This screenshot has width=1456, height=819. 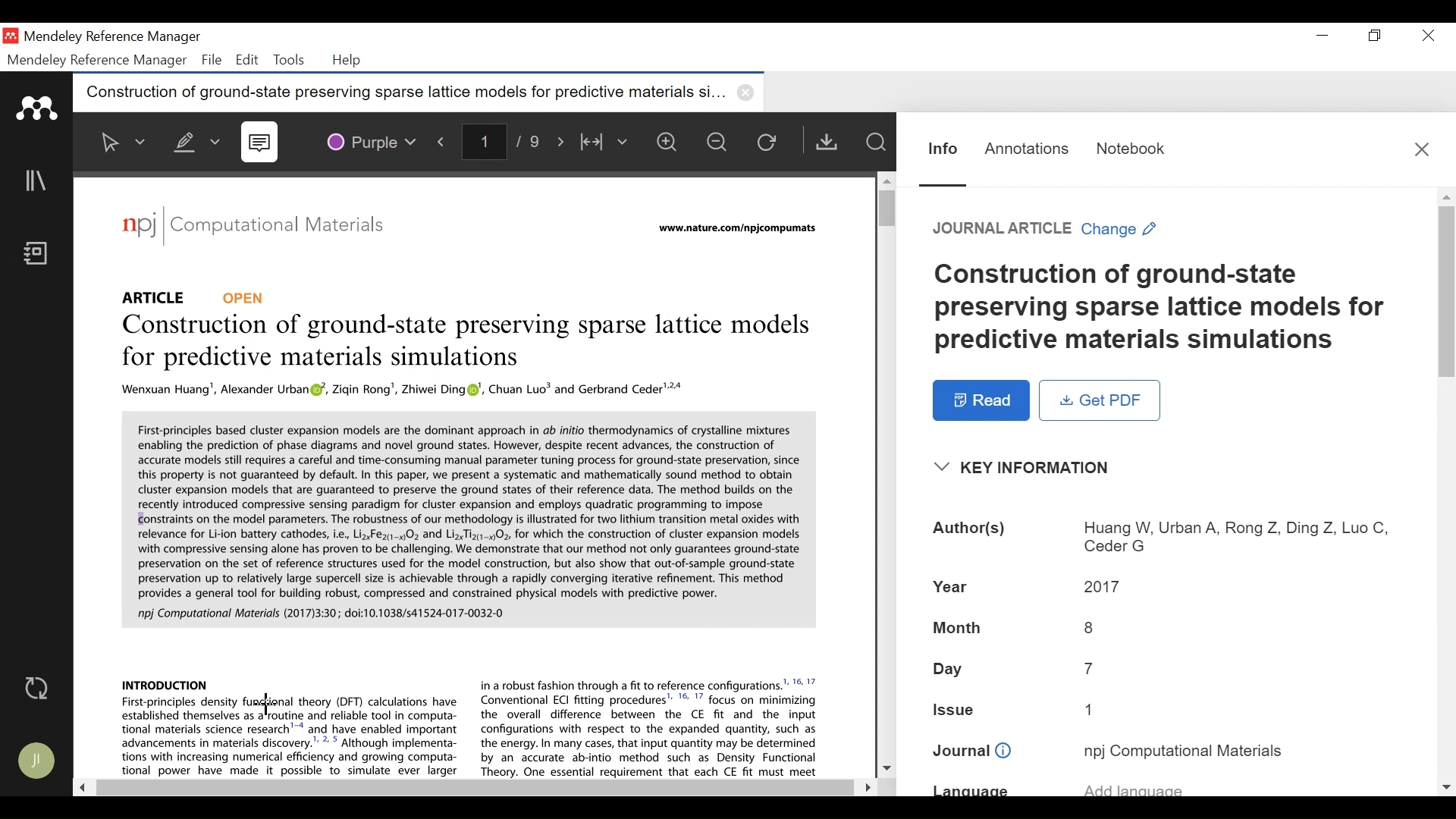 I want to click on Notebook, so click(x=1129, y=146).